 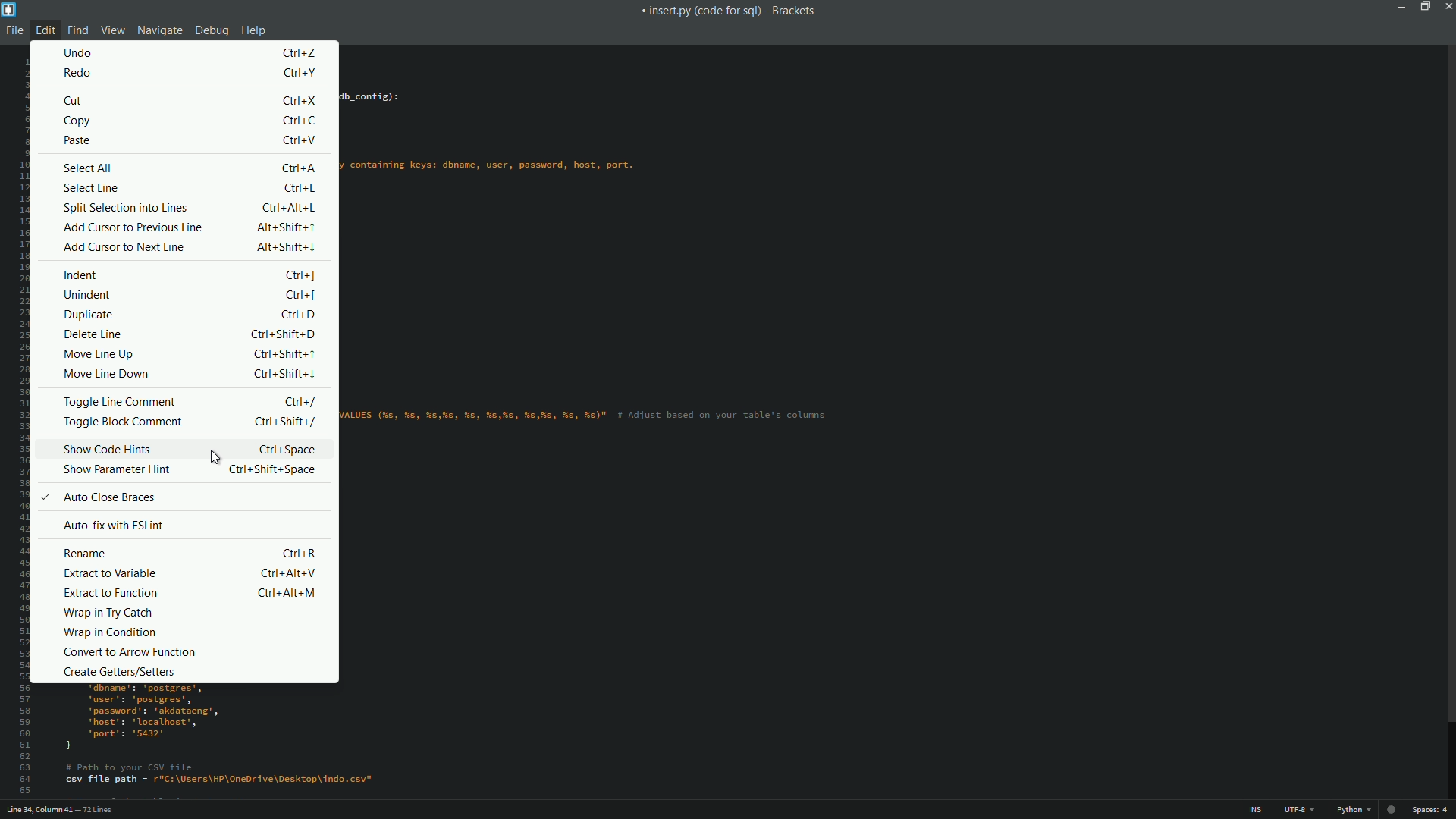 I want to click on keyboard shortcut, so click(x=298, y=141).